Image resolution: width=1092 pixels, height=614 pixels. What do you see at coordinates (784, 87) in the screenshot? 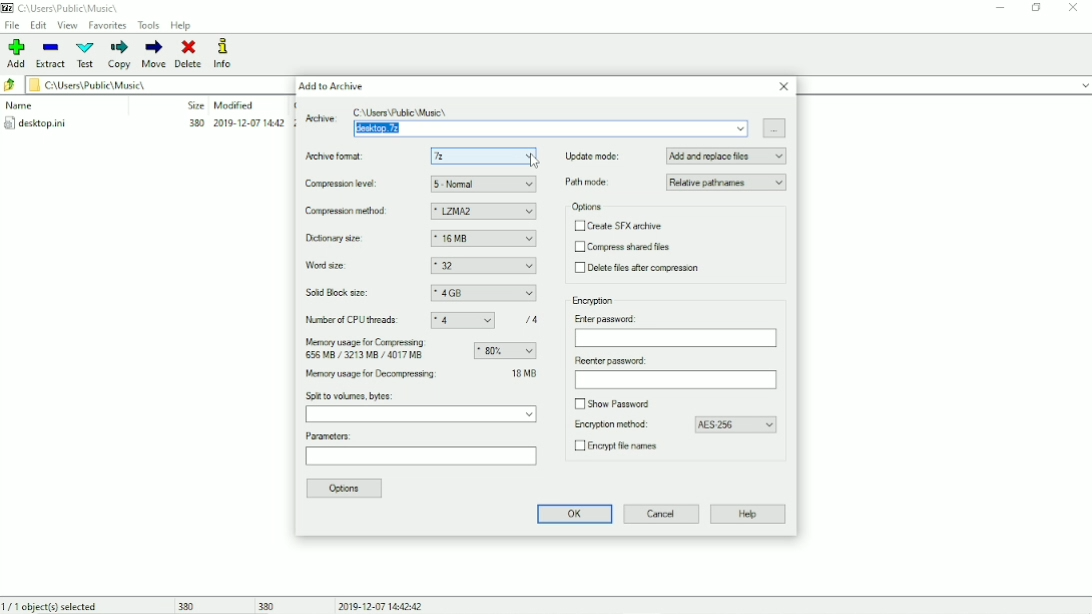
I see `Close` at bounding box center [784, 87].